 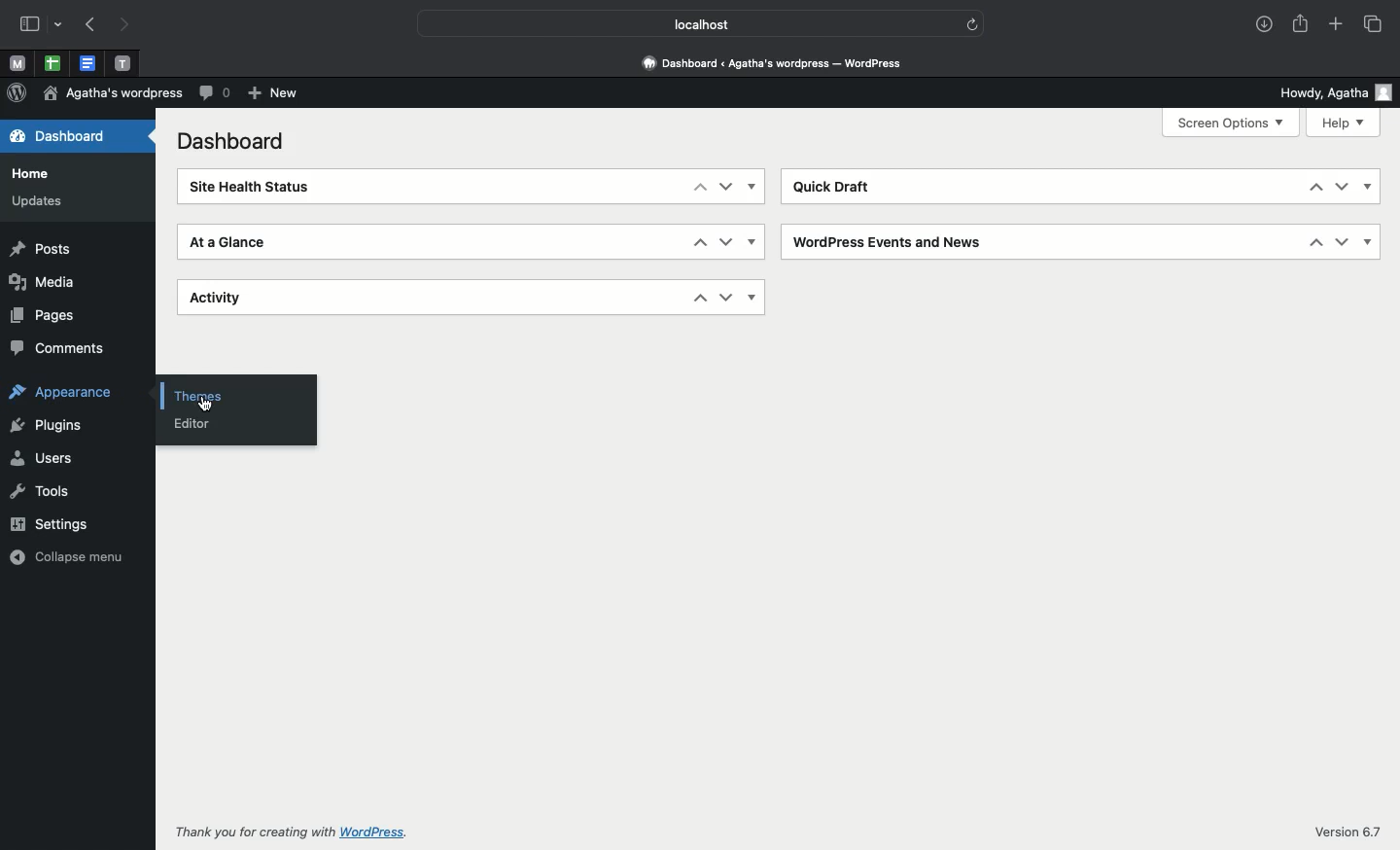 I want to click on Activity , so click(x=231, y=298).